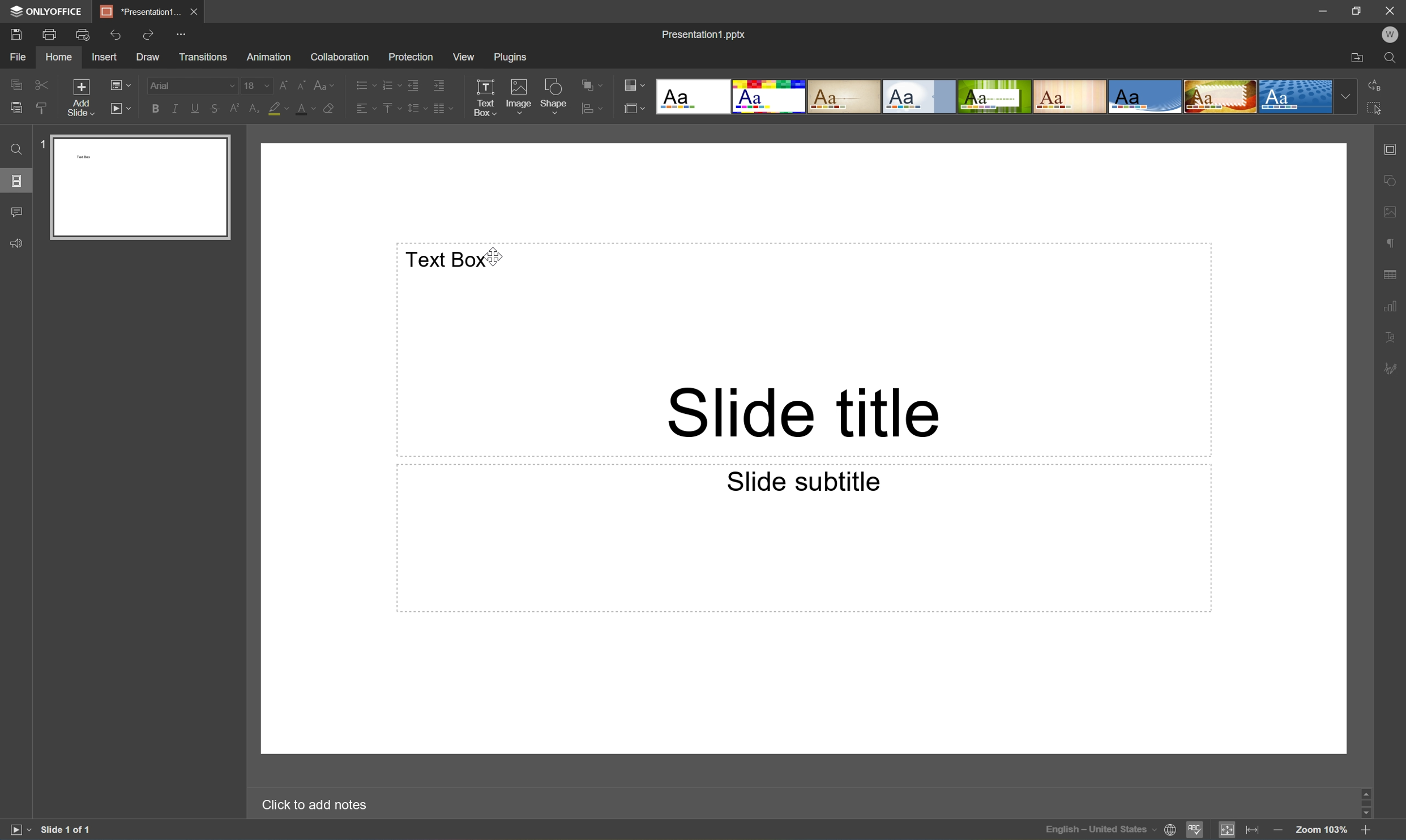 The image size is (1406, 840). What do you see at coordinates (46, 12) in the screenshot?
I see `ONLYOFFICE` at bounding box center [46, 12].